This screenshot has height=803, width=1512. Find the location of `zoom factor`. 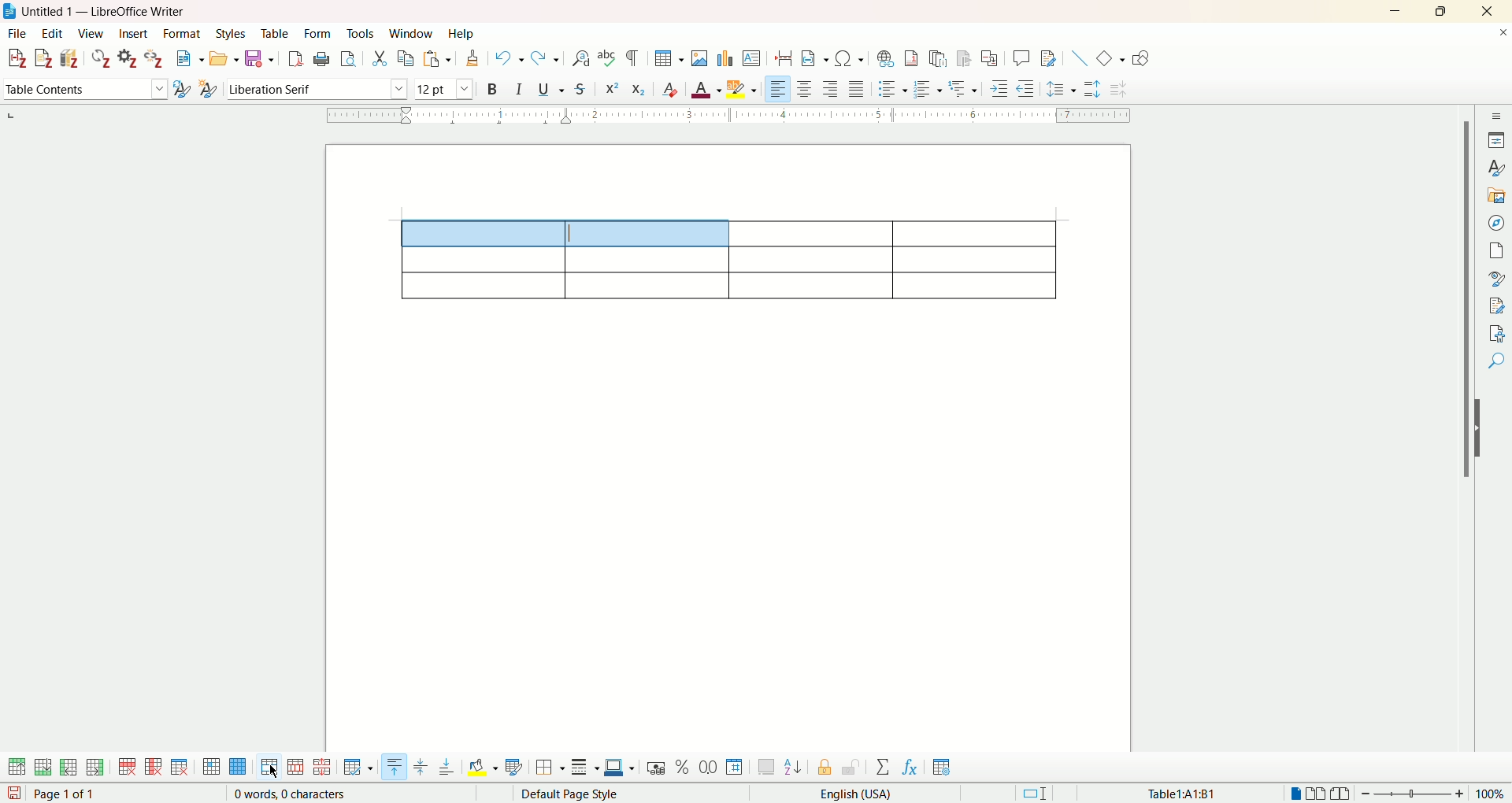

zoom factor is located at coordinates (1432, 794).